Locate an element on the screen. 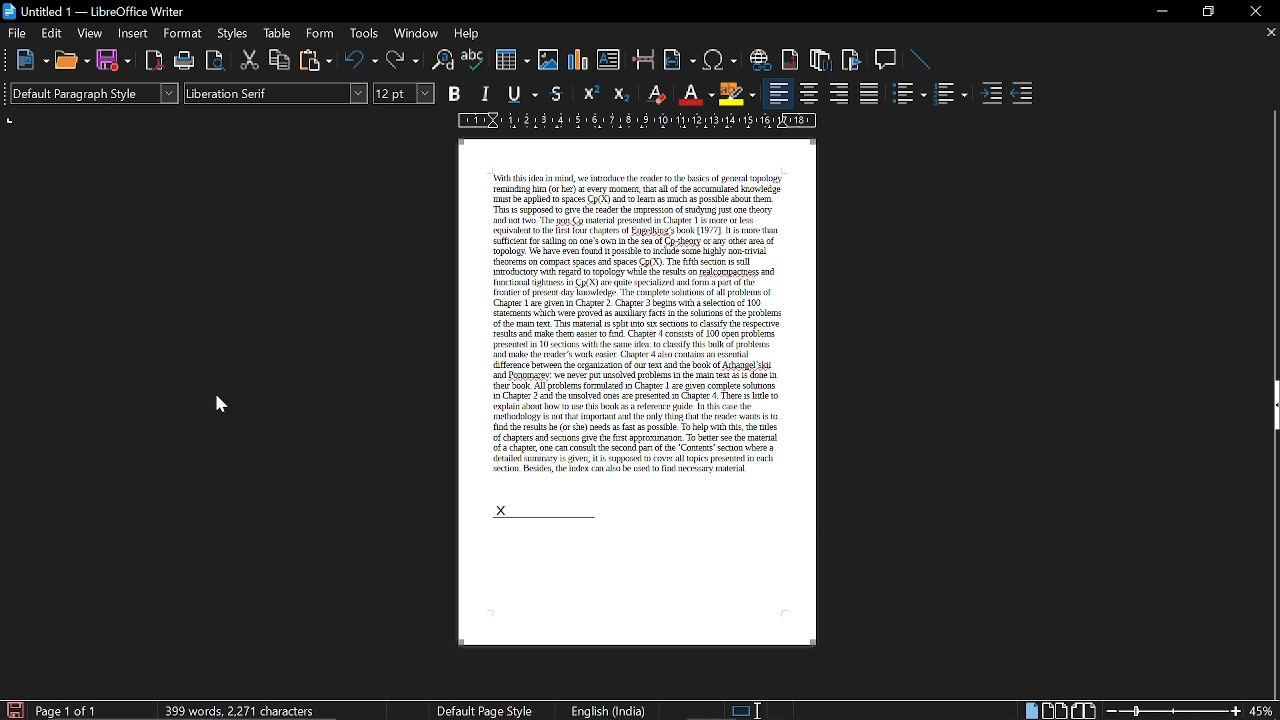  underline is located at coordinates (522, 95).